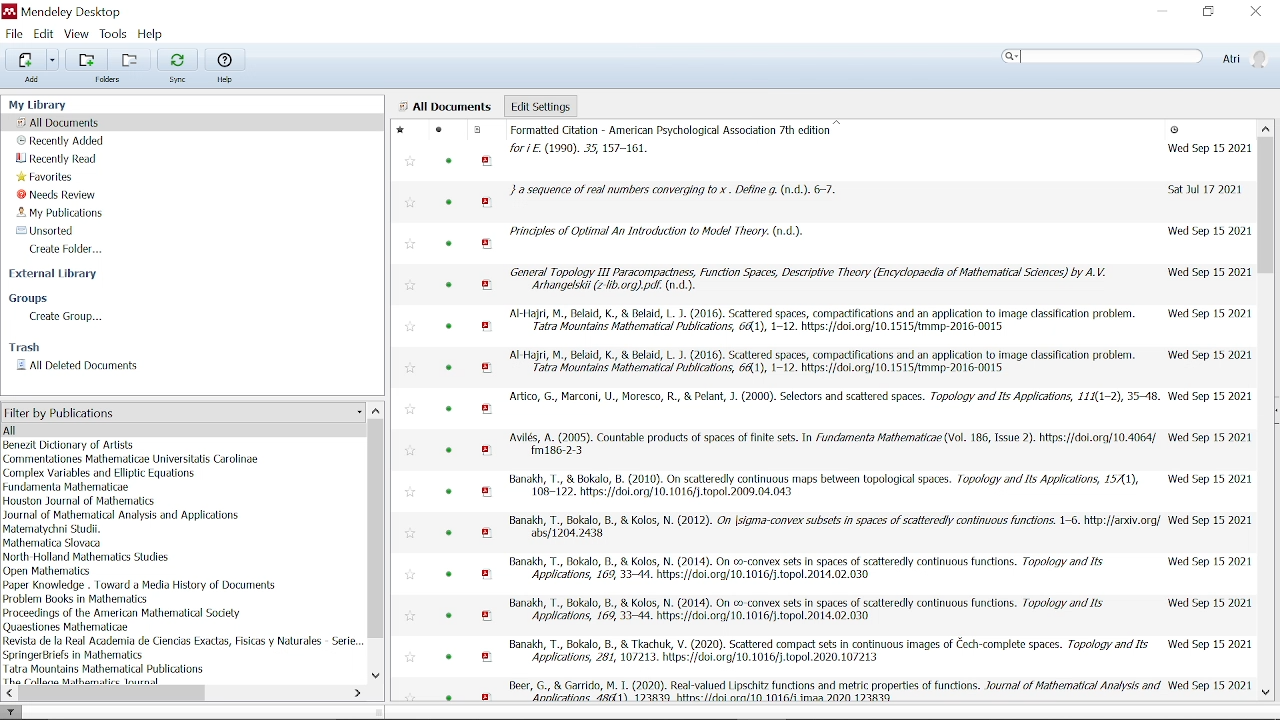  Describe the element at coordinates (49, 104) in the screenshot. I see `my library` at that location.